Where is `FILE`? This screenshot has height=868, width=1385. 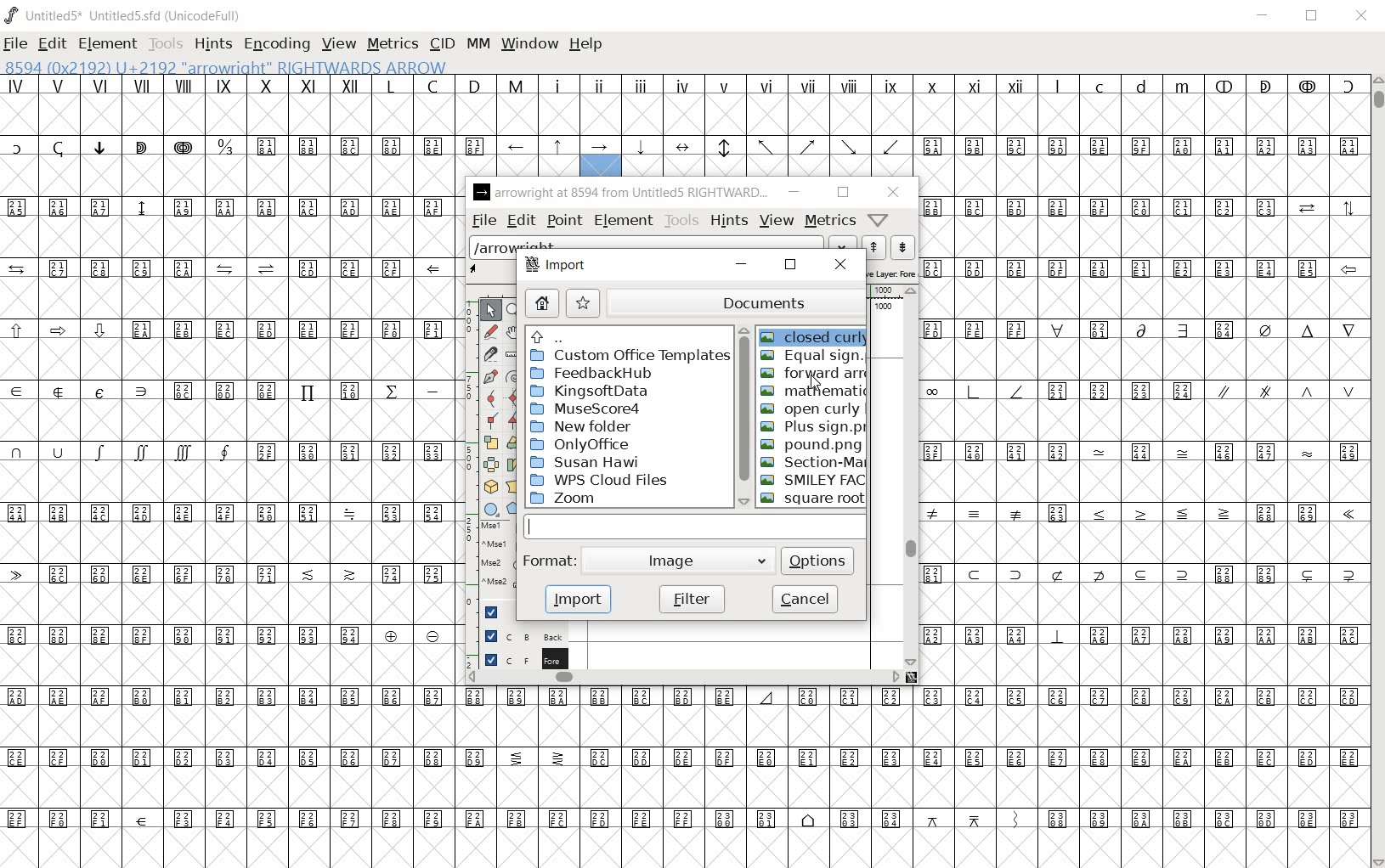 FILE is located at coordinates (16, 42).